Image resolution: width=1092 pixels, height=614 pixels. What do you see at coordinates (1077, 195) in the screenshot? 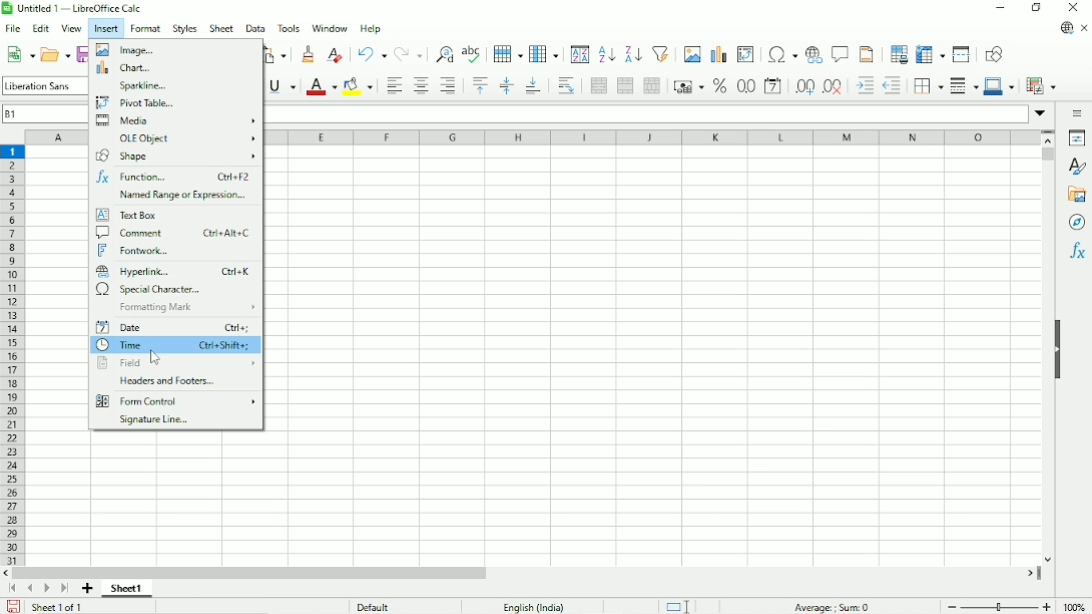
I see `Gallery` at bounding box center [1077, 195].